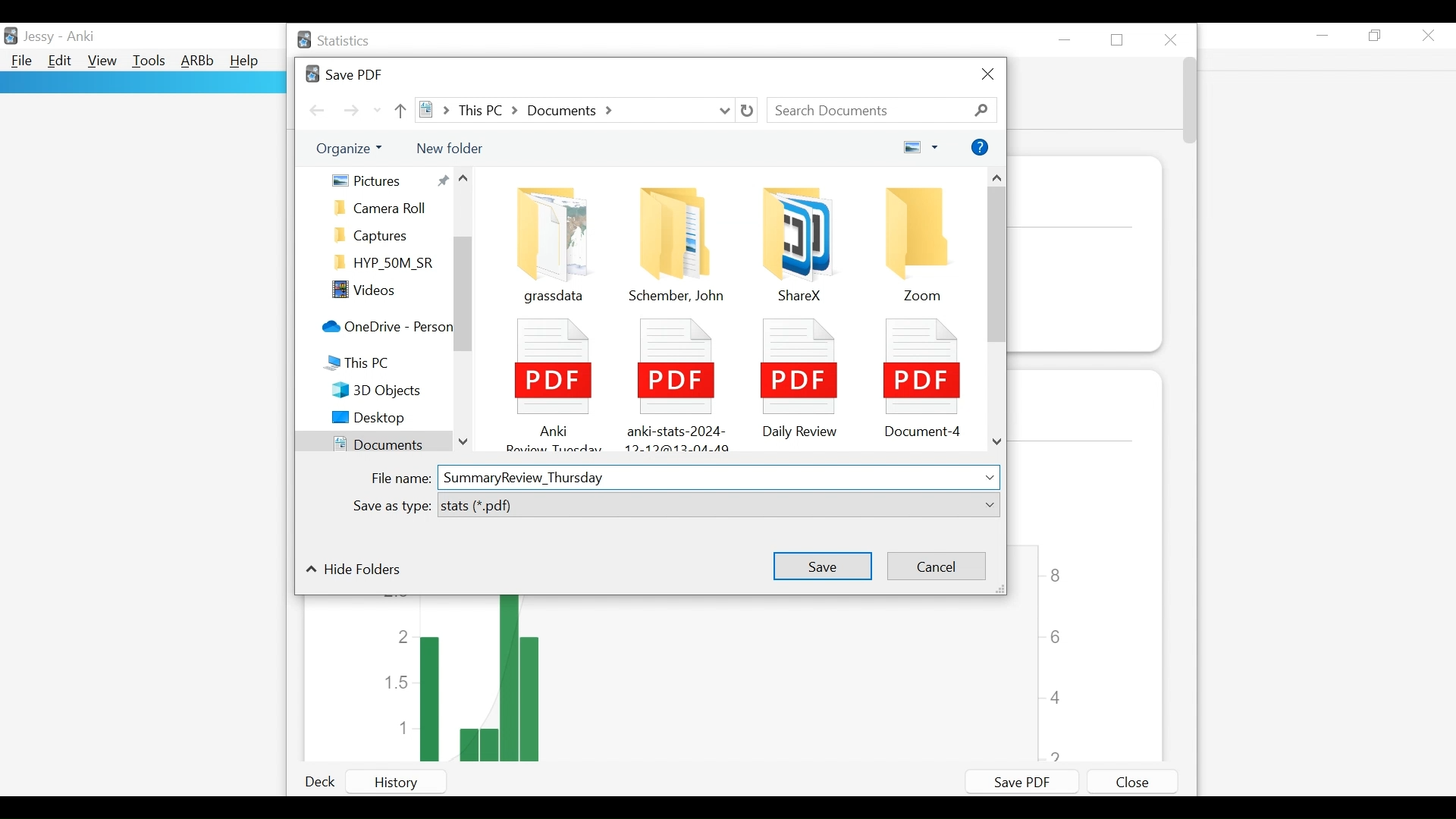 This screenshot has width=1456, height=819. What do you see at coordinates (997, 268) in the screenshot?
I see `Vertical Scroll bar` at bounding box center [997, 268].